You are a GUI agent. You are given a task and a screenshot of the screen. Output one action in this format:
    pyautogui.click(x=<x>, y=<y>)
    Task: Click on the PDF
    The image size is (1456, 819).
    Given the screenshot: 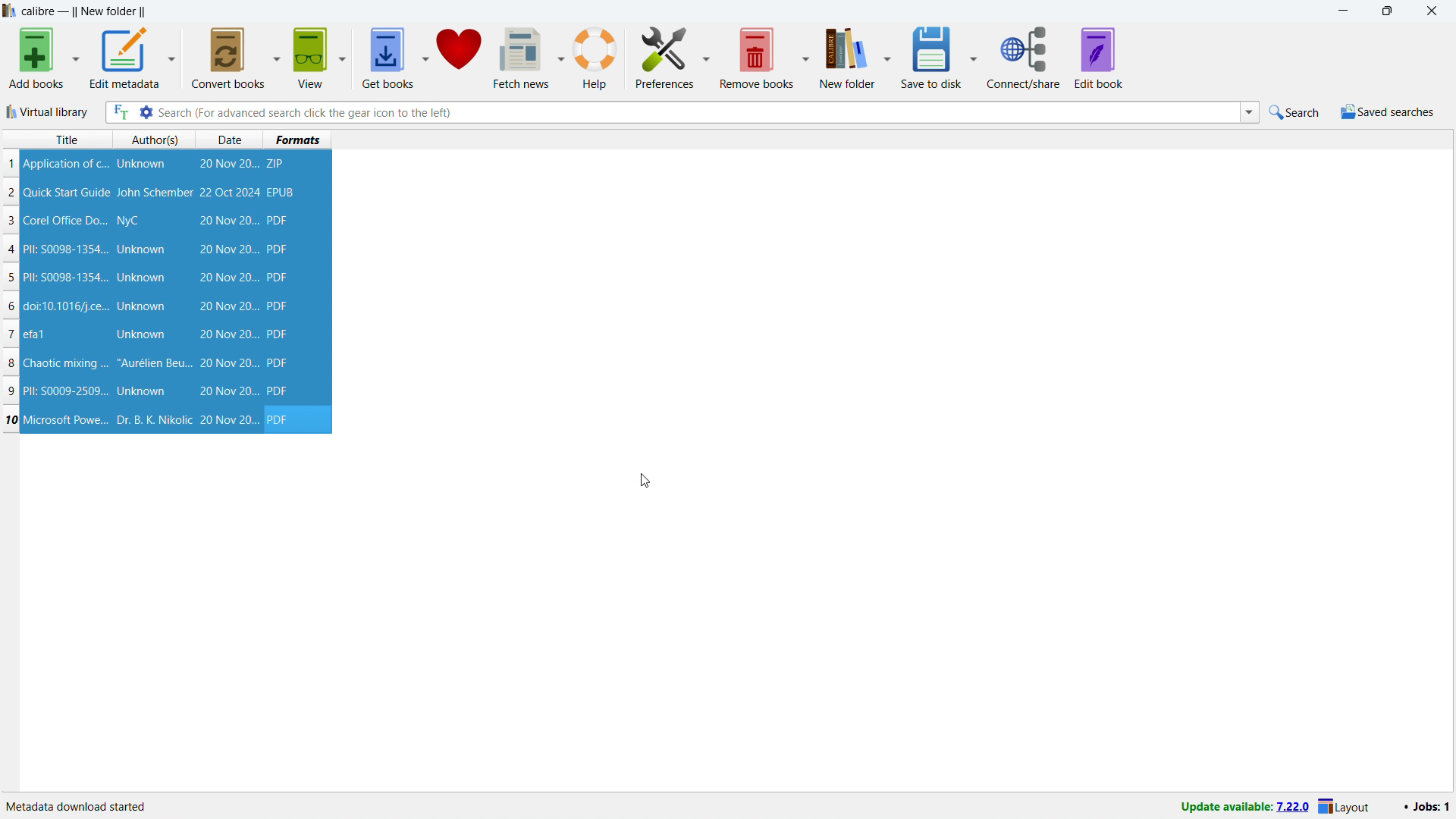 What is the action you would take?
    pyautogui.click(x=276, y=250)
    